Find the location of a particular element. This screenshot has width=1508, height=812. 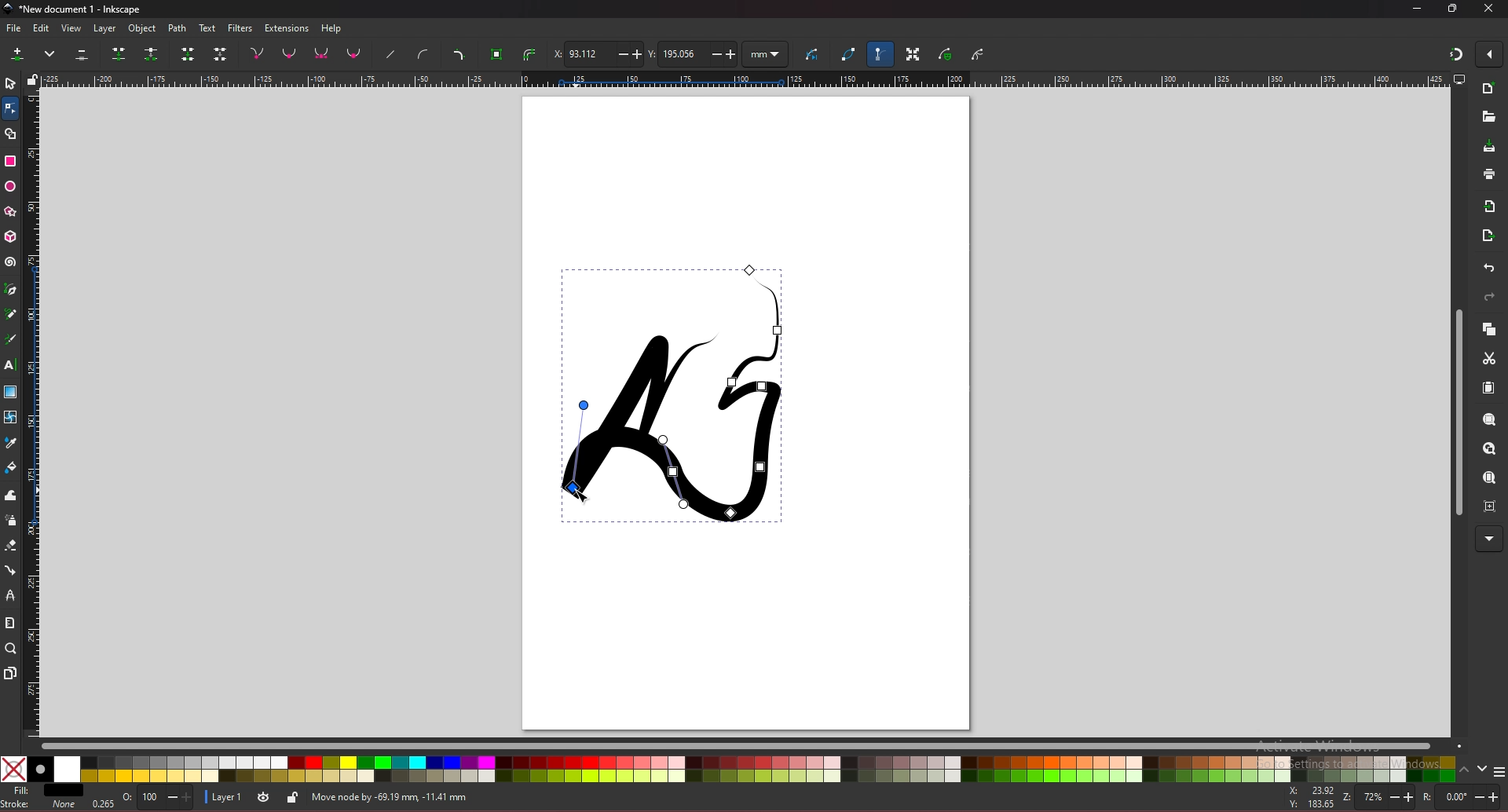

object is located at coordinates (144, 29).